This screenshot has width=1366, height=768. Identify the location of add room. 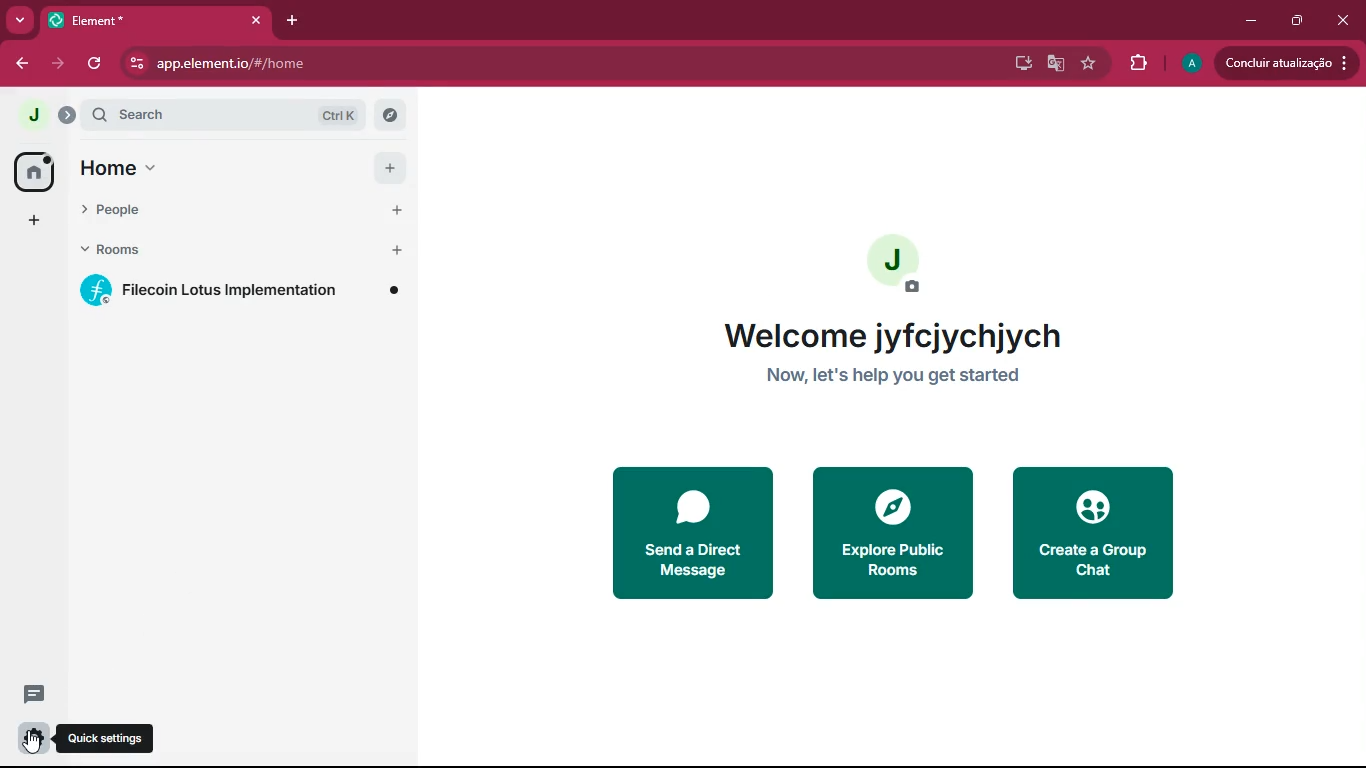
(399, 251).